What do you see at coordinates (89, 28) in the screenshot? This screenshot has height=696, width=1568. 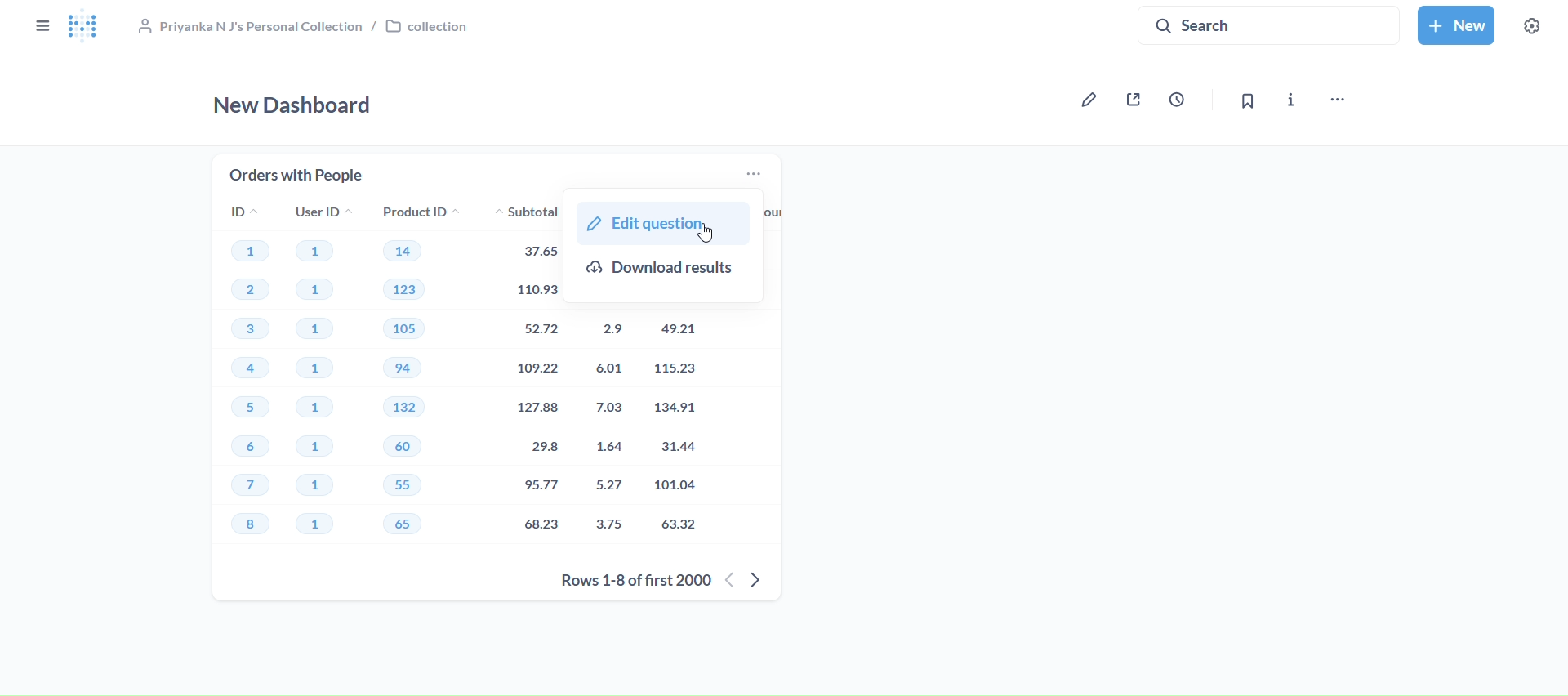 I see `logo` at bounding box center [89, 28].